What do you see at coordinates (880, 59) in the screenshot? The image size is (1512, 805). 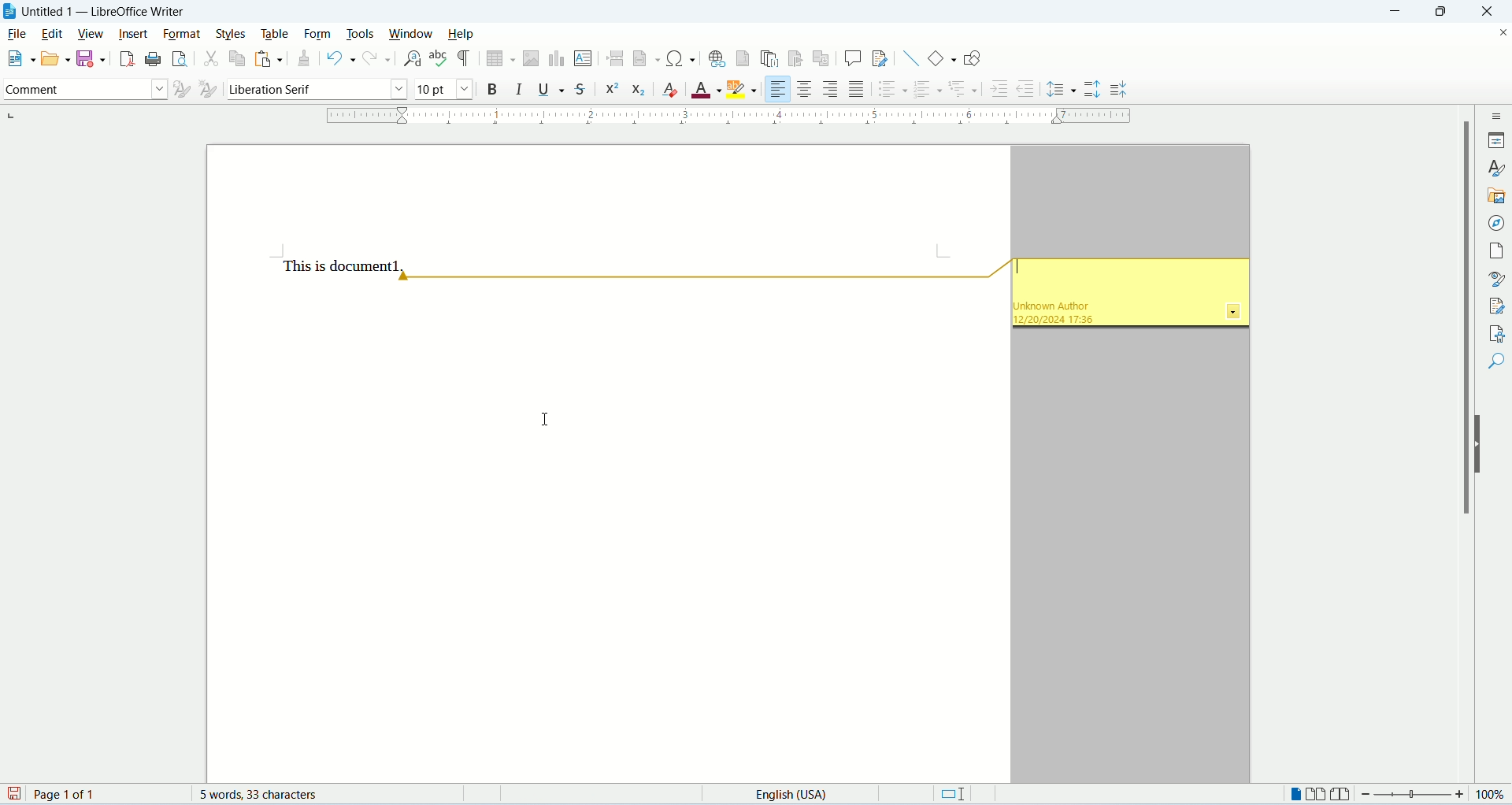 I see `show track changes` at bounding box center [880, 59].